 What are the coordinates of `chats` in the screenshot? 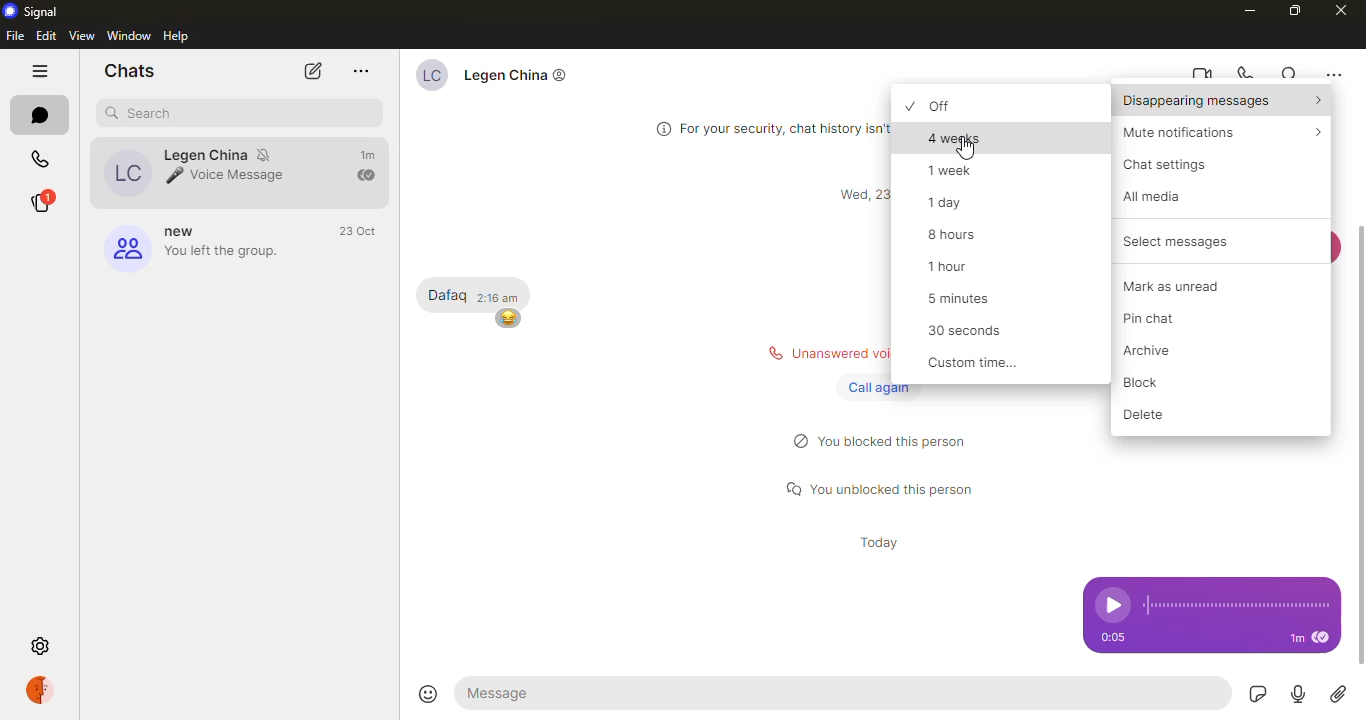 It's located at (134, 70).